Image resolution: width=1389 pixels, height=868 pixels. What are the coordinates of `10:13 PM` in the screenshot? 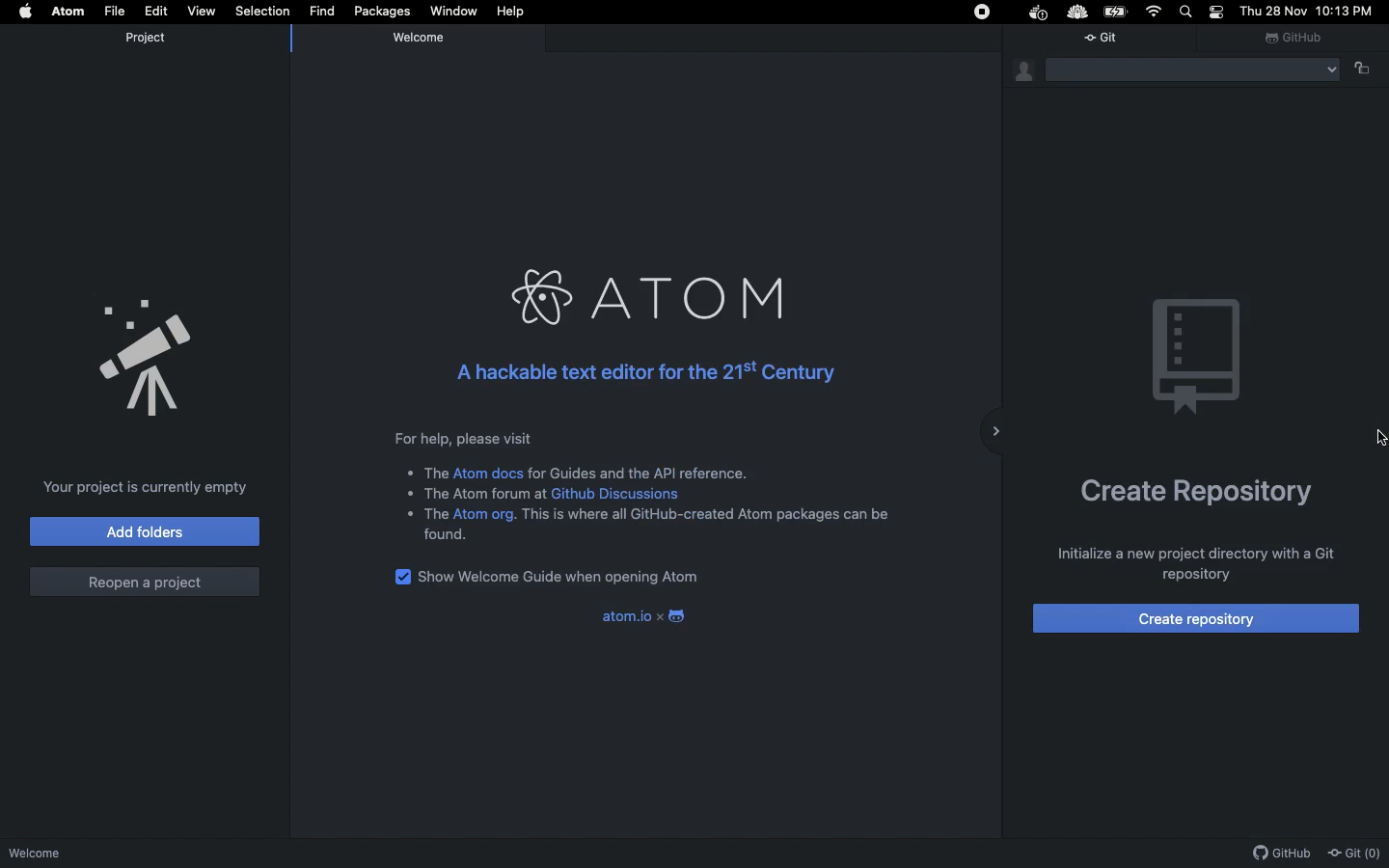 It's located at (1345, 11).